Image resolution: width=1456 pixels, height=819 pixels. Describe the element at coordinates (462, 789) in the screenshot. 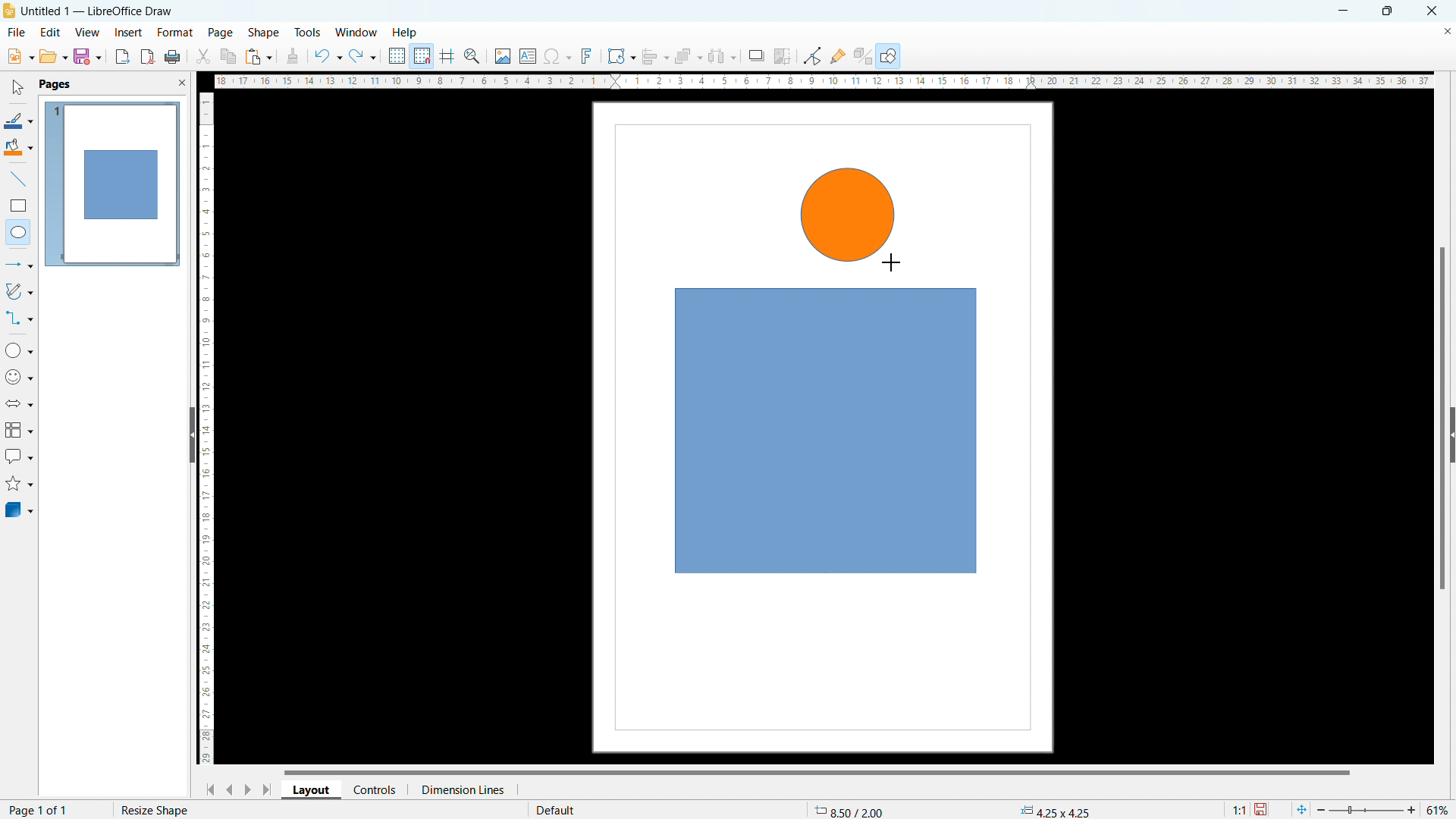

I see `dimension lines` at that location.